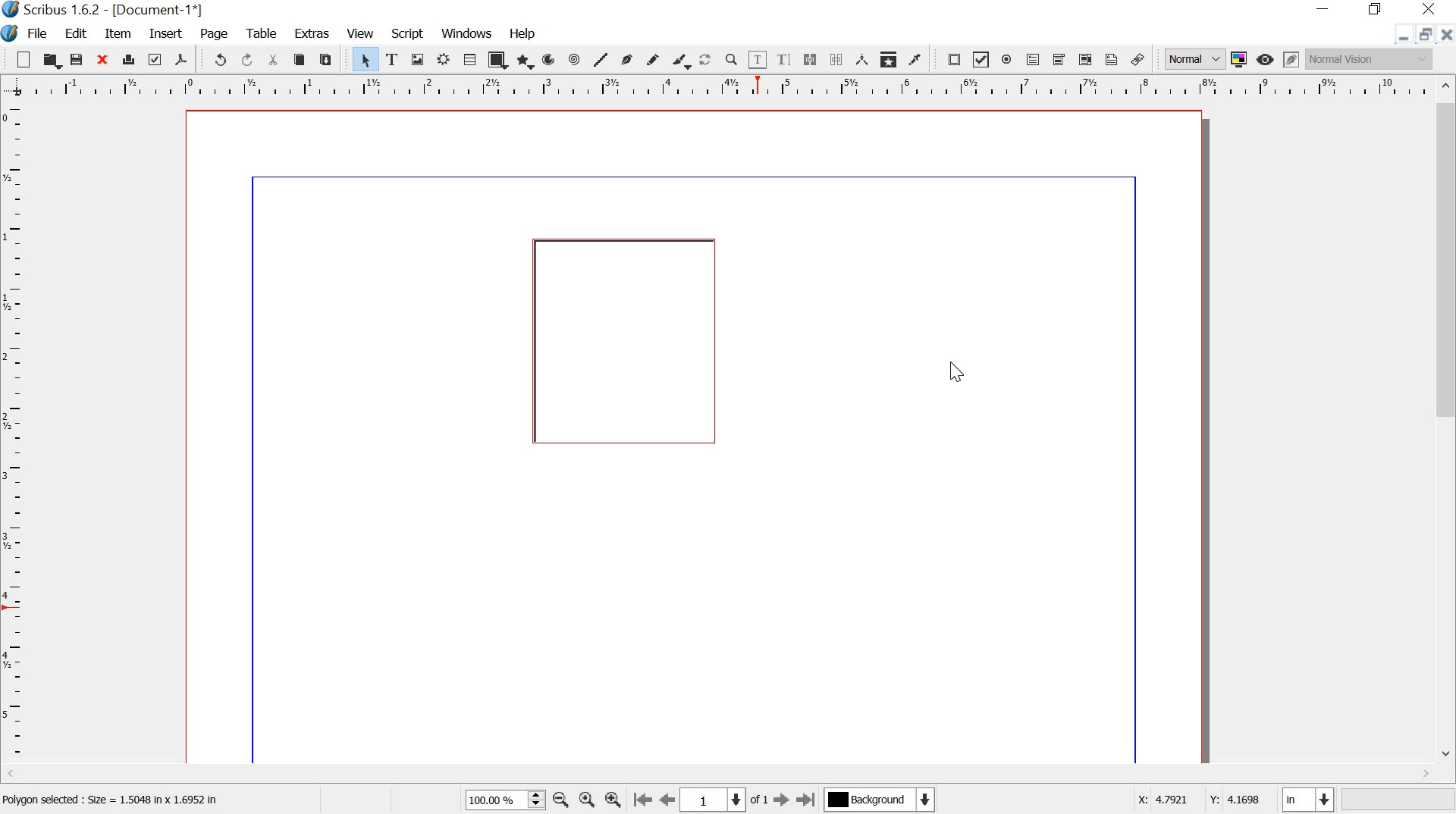 The width and height of the screenshot is (1456, 814). Describe the element at coordinates (682, 62) in the screenshot. I see `calligraphic line` at that location.